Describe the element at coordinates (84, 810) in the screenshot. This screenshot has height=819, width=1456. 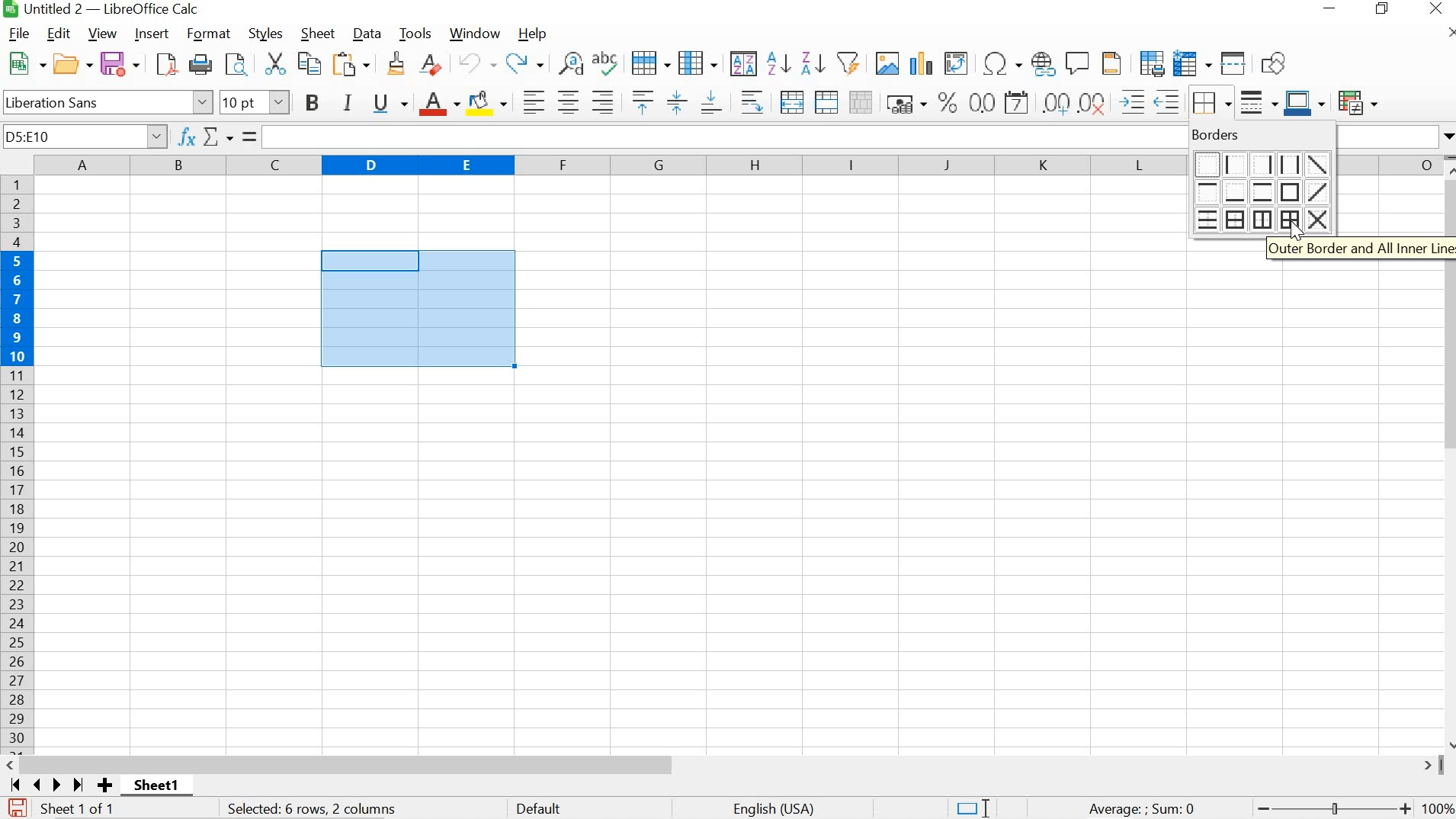
I see `SHEET 1 OF 1` at that location.